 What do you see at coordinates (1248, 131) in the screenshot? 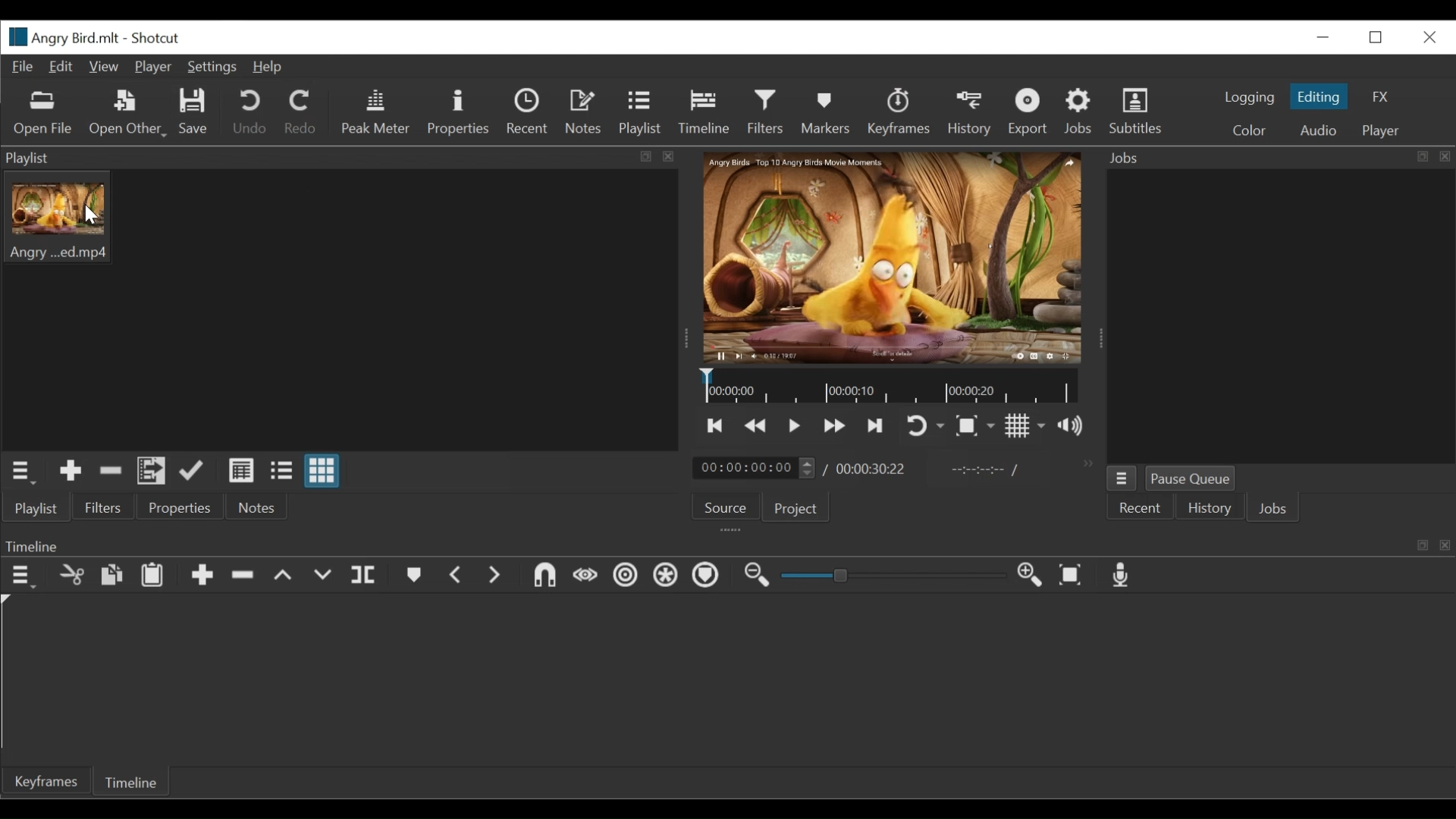
I see `color` at bounding box center [1248, 131].